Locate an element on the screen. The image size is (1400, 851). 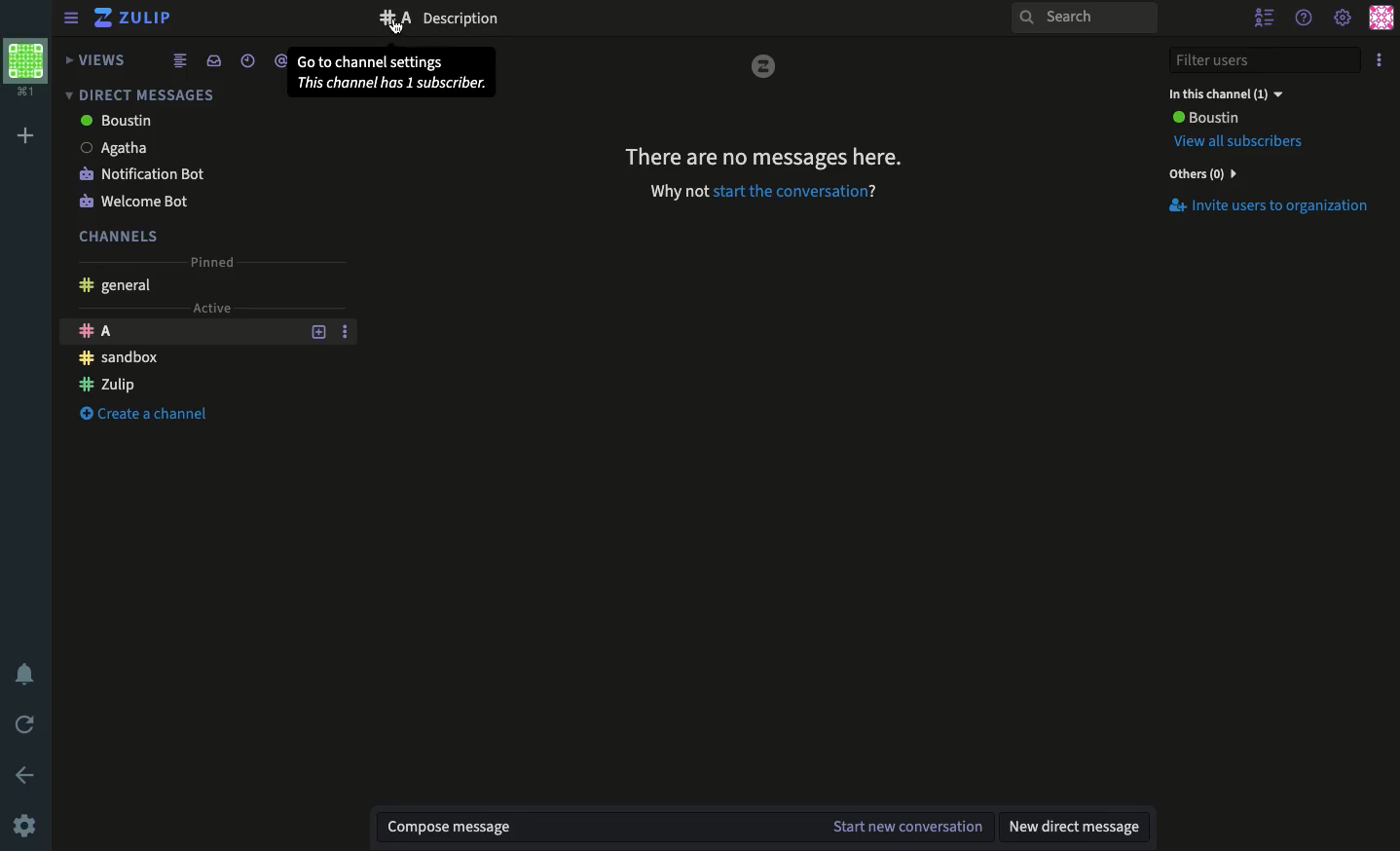
cursor is located at coordinates (396, 26).